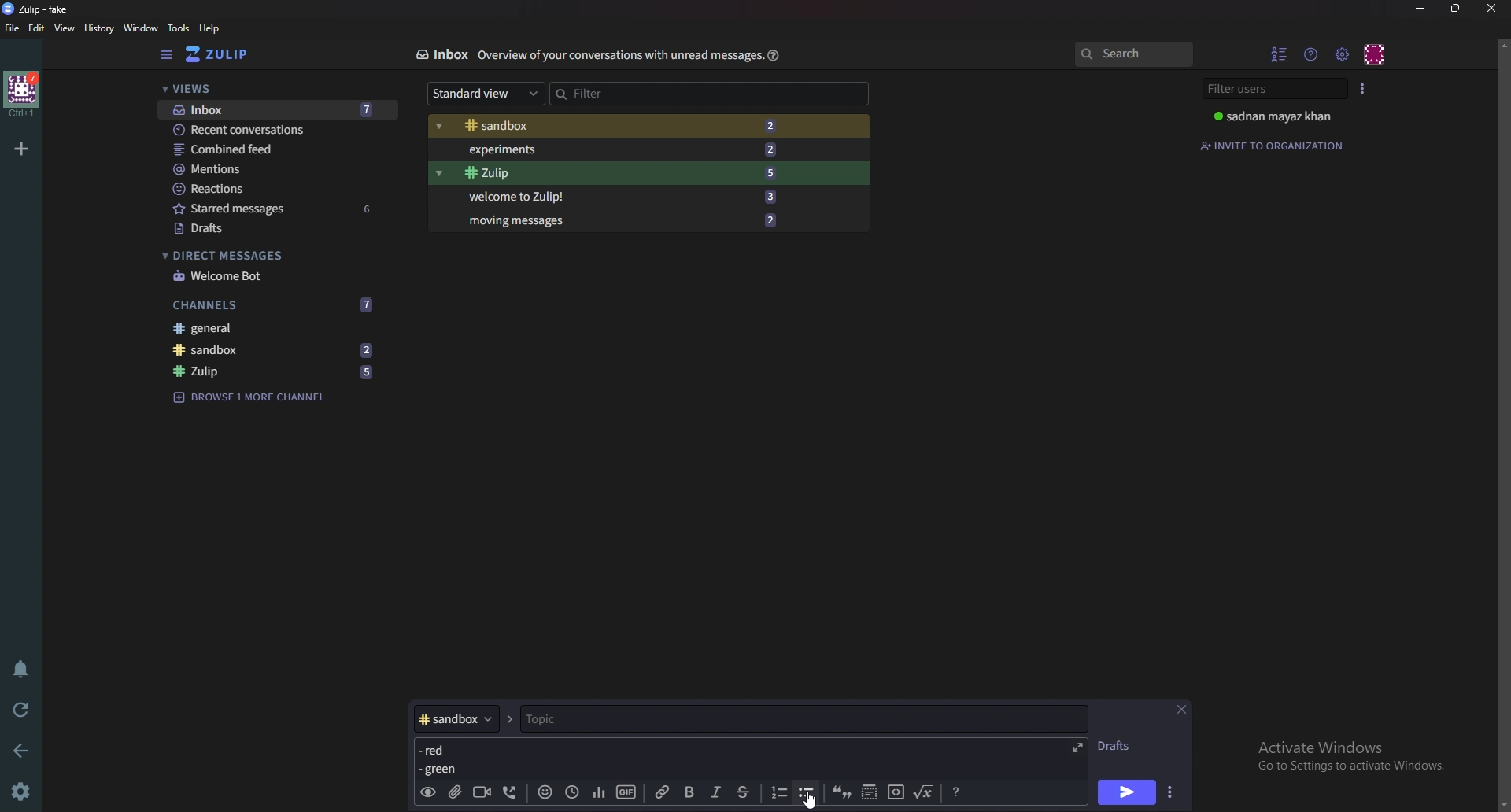 The image size is (1511, 812). What do you see at coordinates (442, 758) in the screenshot?
I see `Message` at bounding box center [442, 758].